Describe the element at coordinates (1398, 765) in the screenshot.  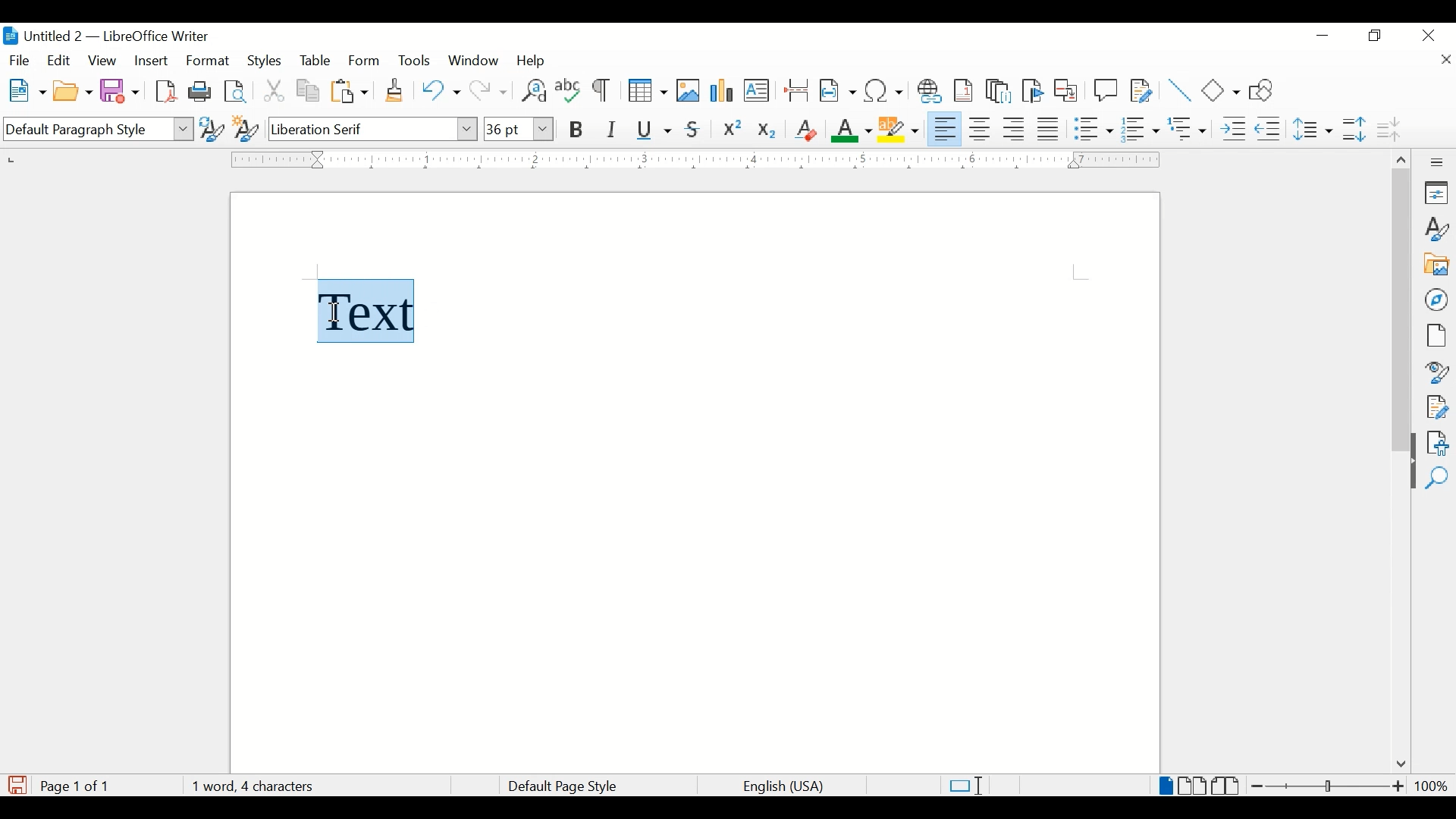
I see `scroll down arrow` at that location.